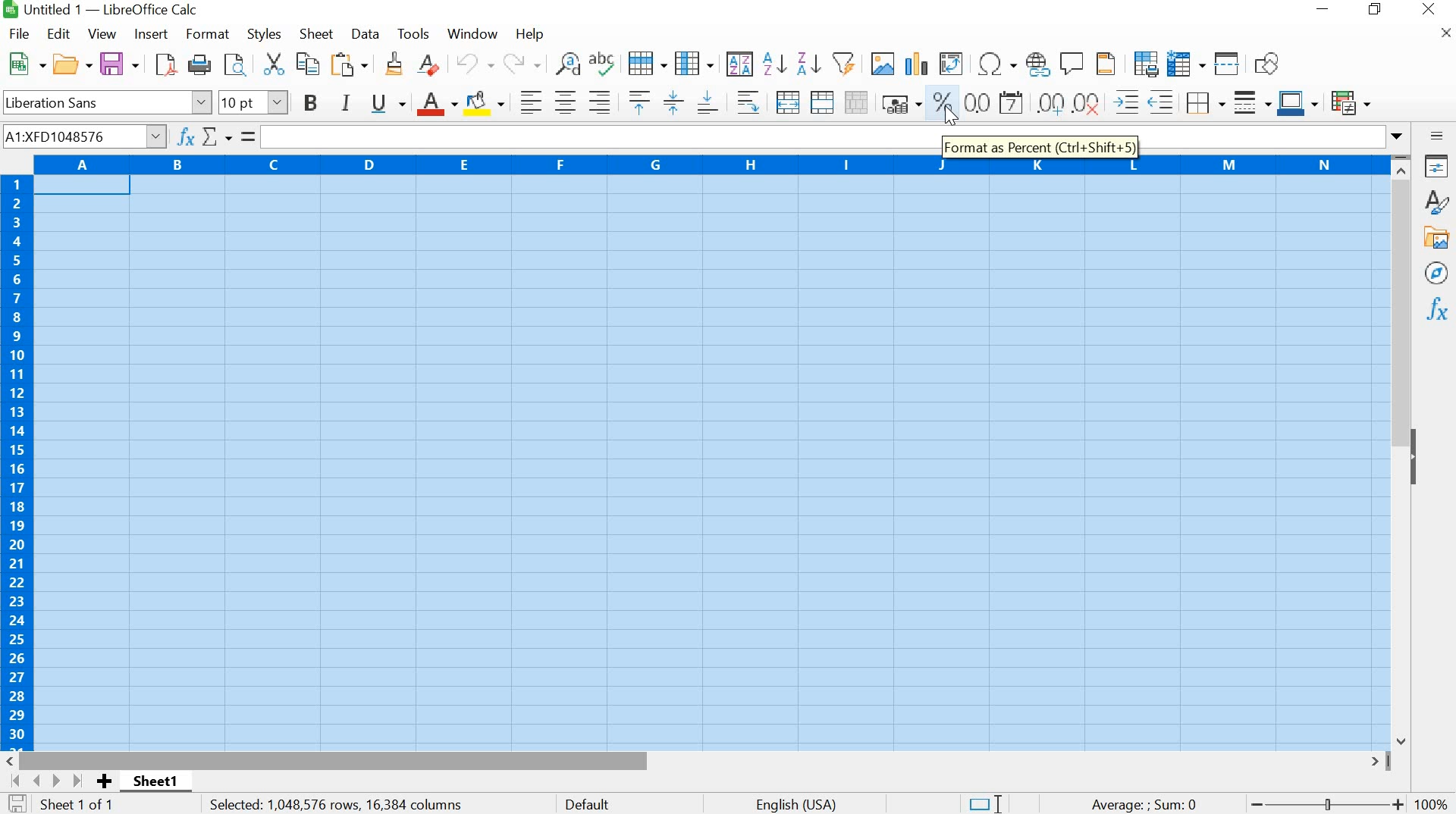 The width and height of the screenshot is (1456, 814). What do you see at coordinates (670, 104) in the screenshot?
I see `Center Vertically` at bounding box center [670, 104].